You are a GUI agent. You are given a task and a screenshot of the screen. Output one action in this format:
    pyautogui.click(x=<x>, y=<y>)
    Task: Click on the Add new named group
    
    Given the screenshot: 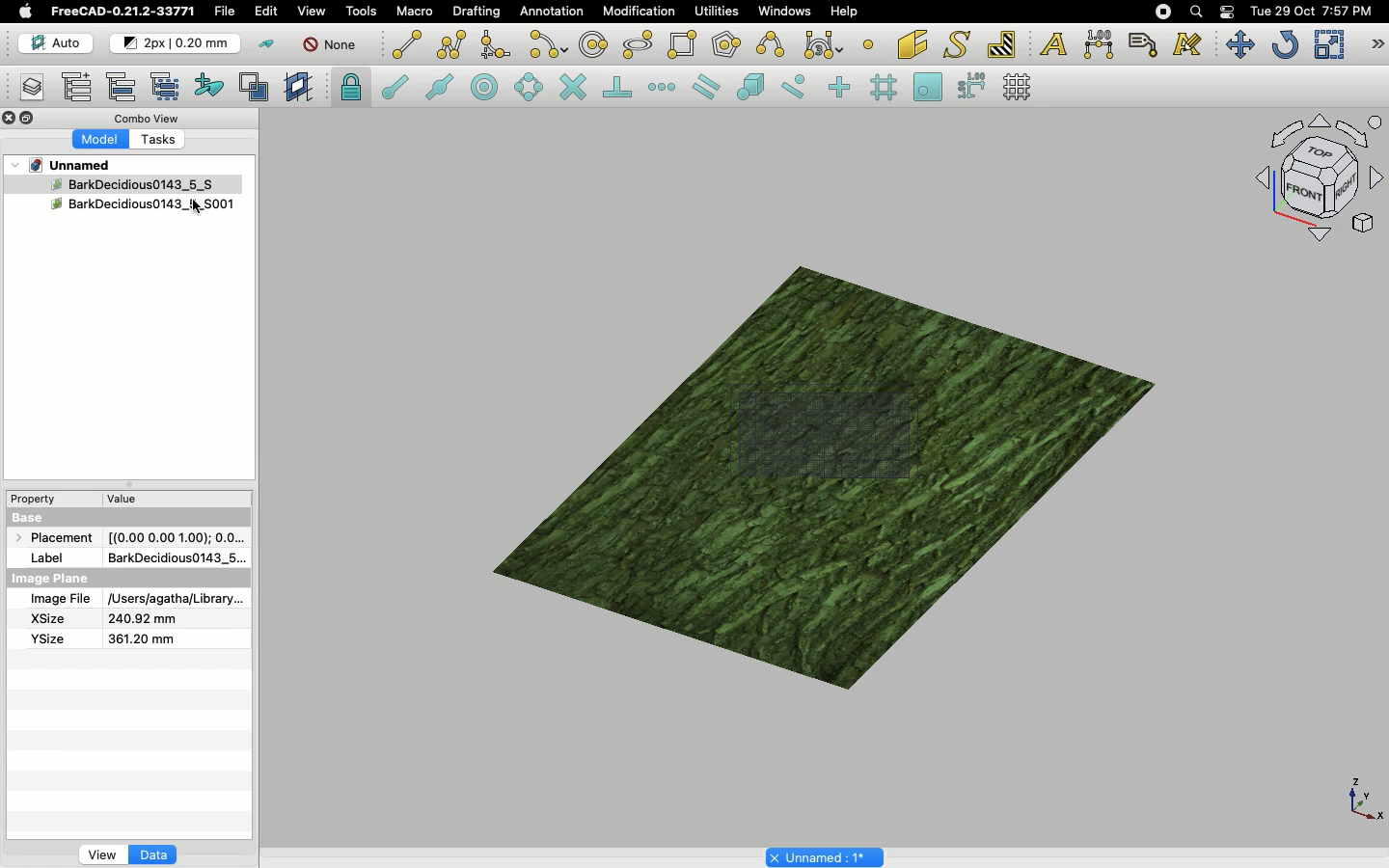 What is the action you would take?
    pyautogui.click(x=81, y=89)
    